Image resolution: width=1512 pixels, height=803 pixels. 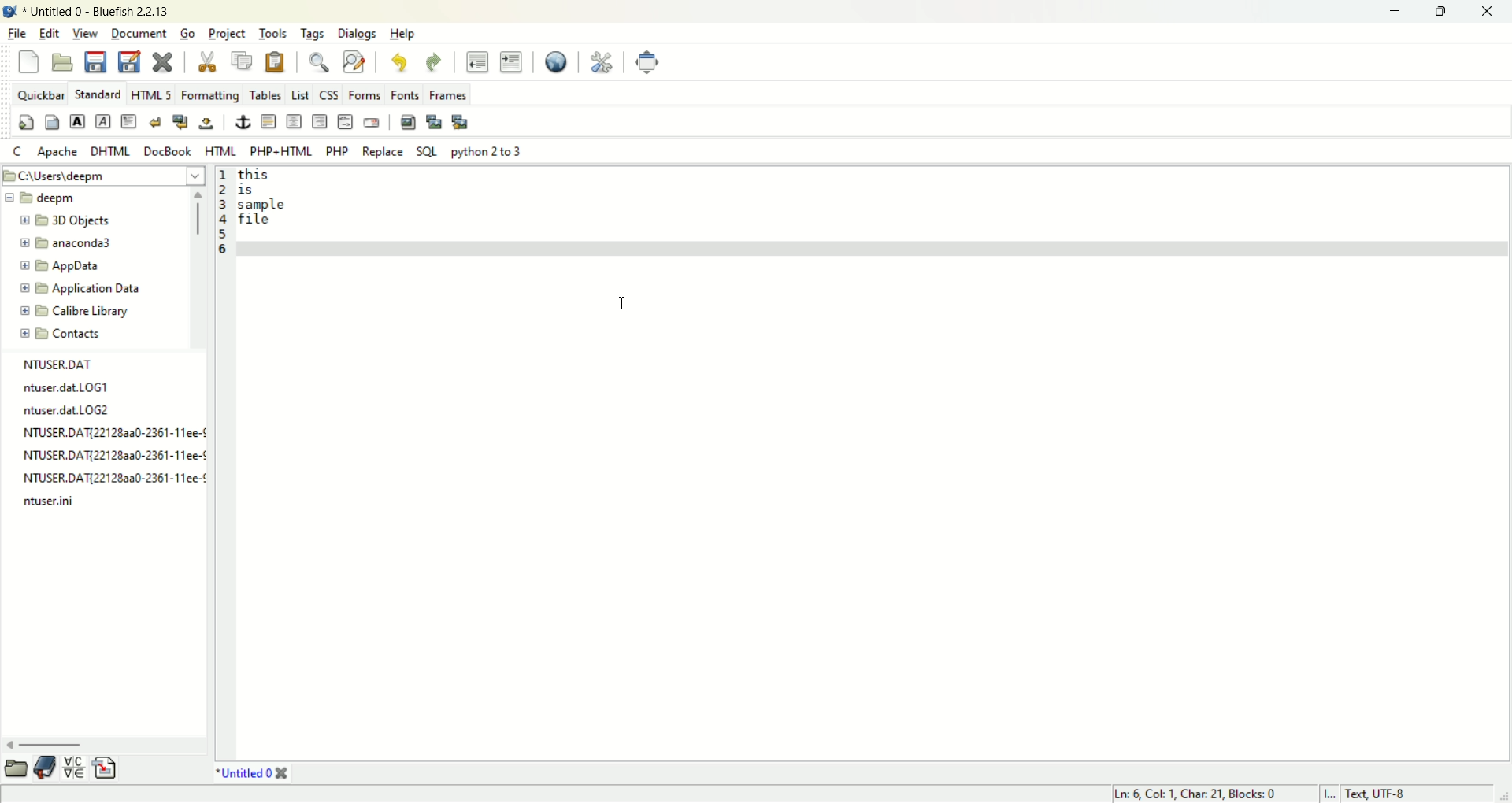 I want to click on charmap, so click(x=76, y=768).